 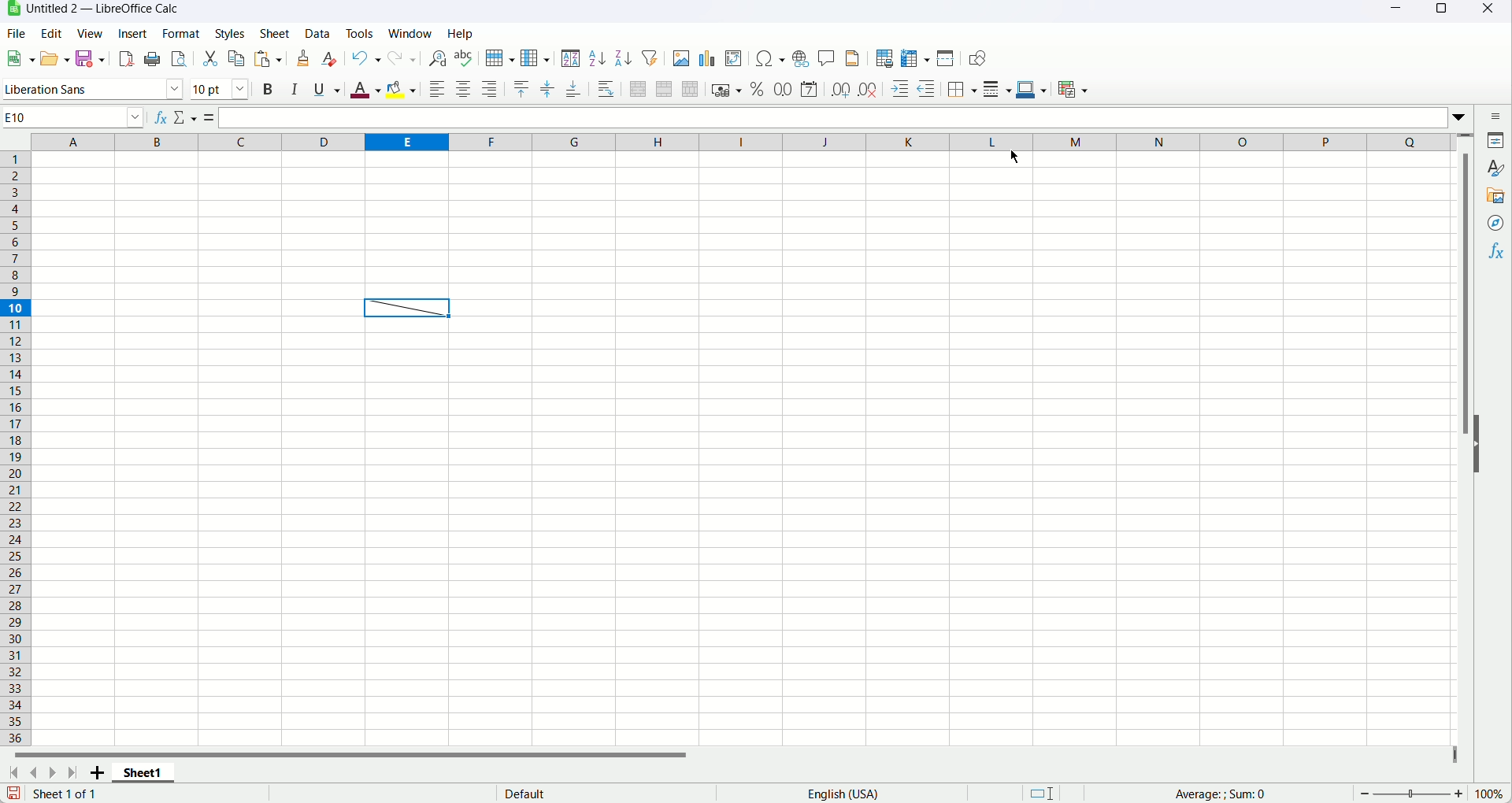 I want to click on Bold, so click(x=268, y=91).